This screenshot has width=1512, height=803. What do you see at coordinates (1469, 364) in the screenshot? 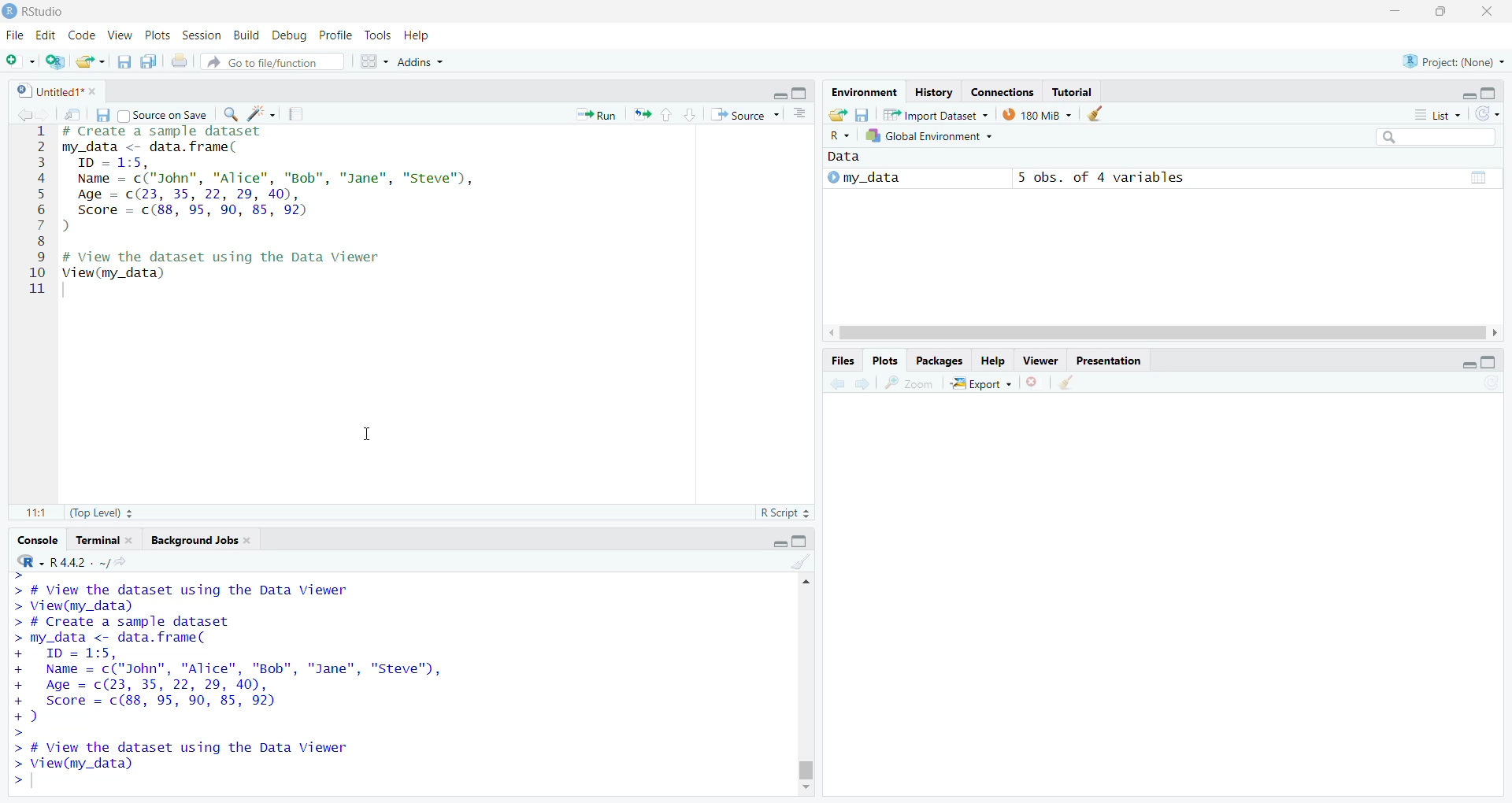
I see `minimize` at bounding box center [1469, 364].